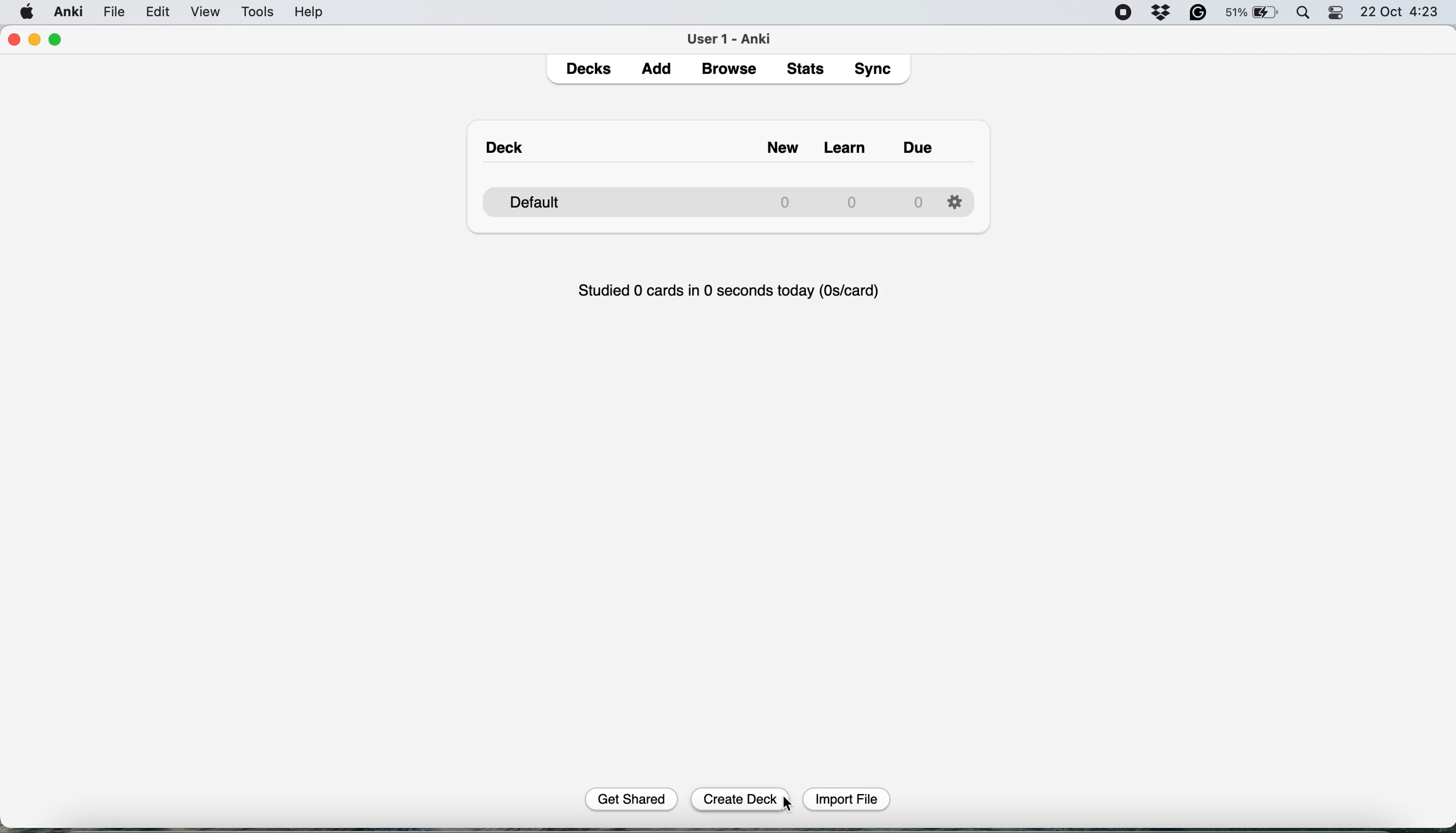 The image size is (1456, 833). I want to click on drop box, so click(1165, 13).